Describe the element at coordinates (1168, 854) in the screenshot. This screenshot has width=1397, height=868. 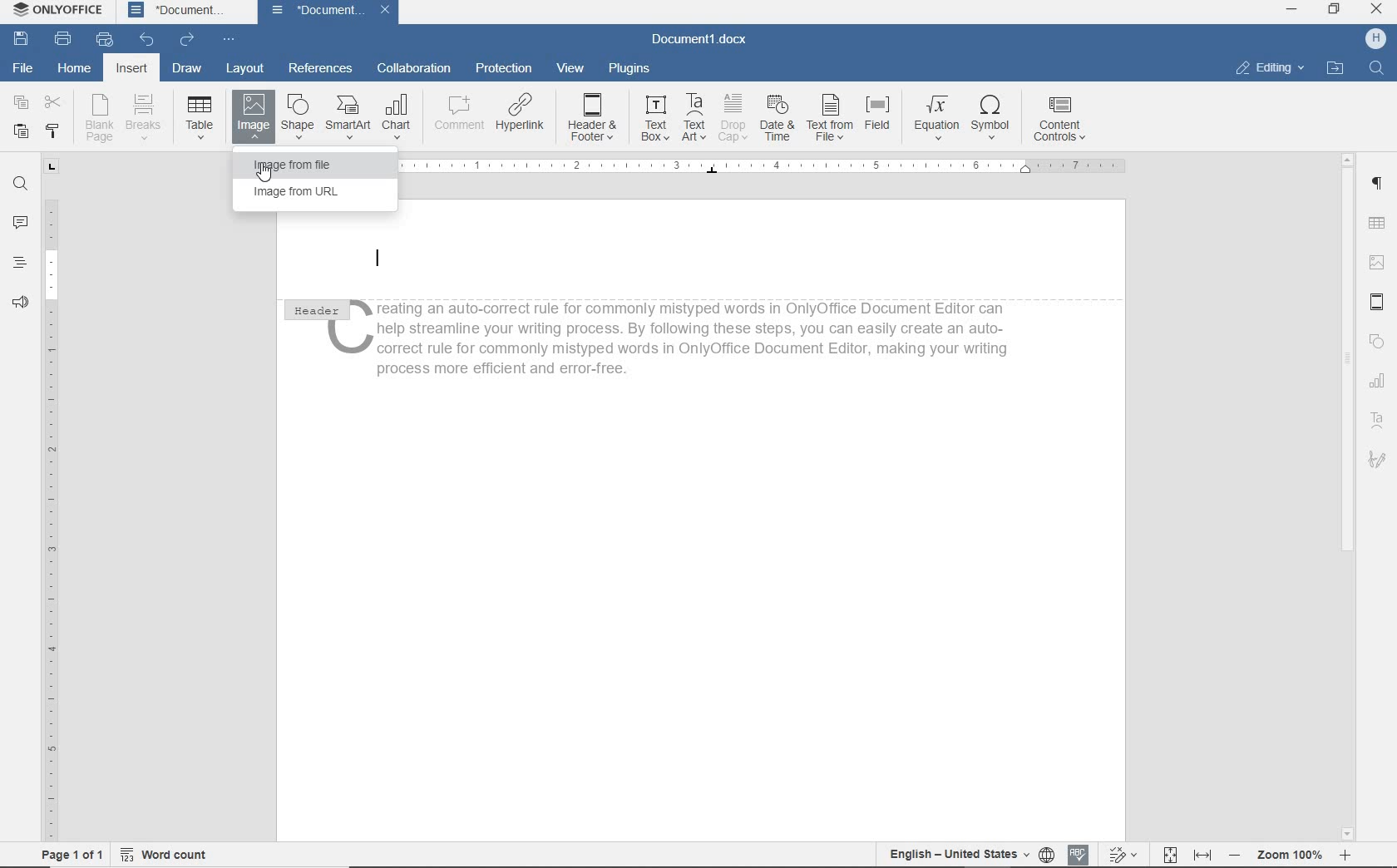
I see `Fit to page` at that location.